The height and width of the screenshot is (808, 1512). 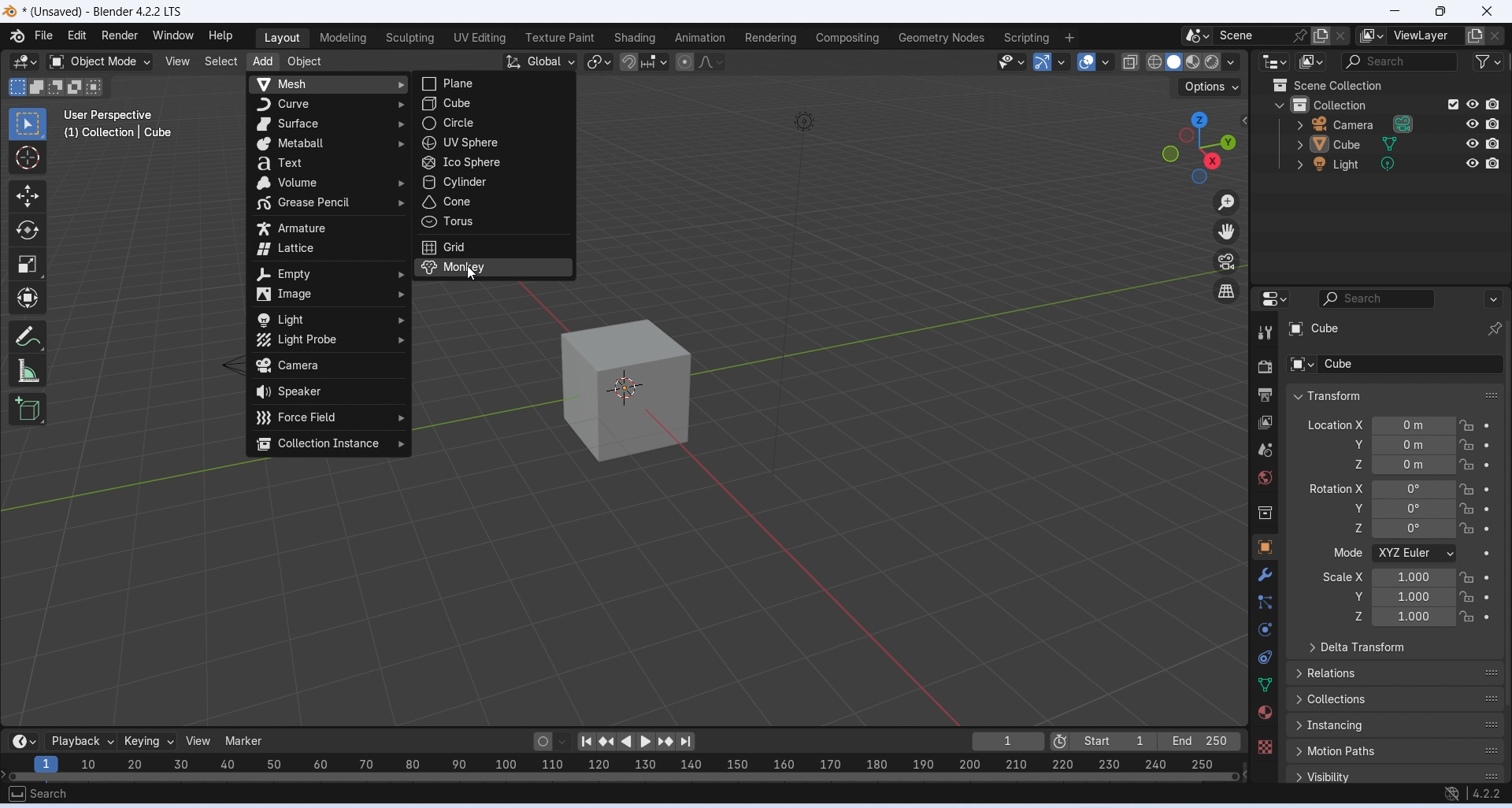 What do you see at coordinates (102, 13) in the screenshot?
I see `* (Unsaved) - Blender 4.2.2 LTS` at bounding box center [102, 13].